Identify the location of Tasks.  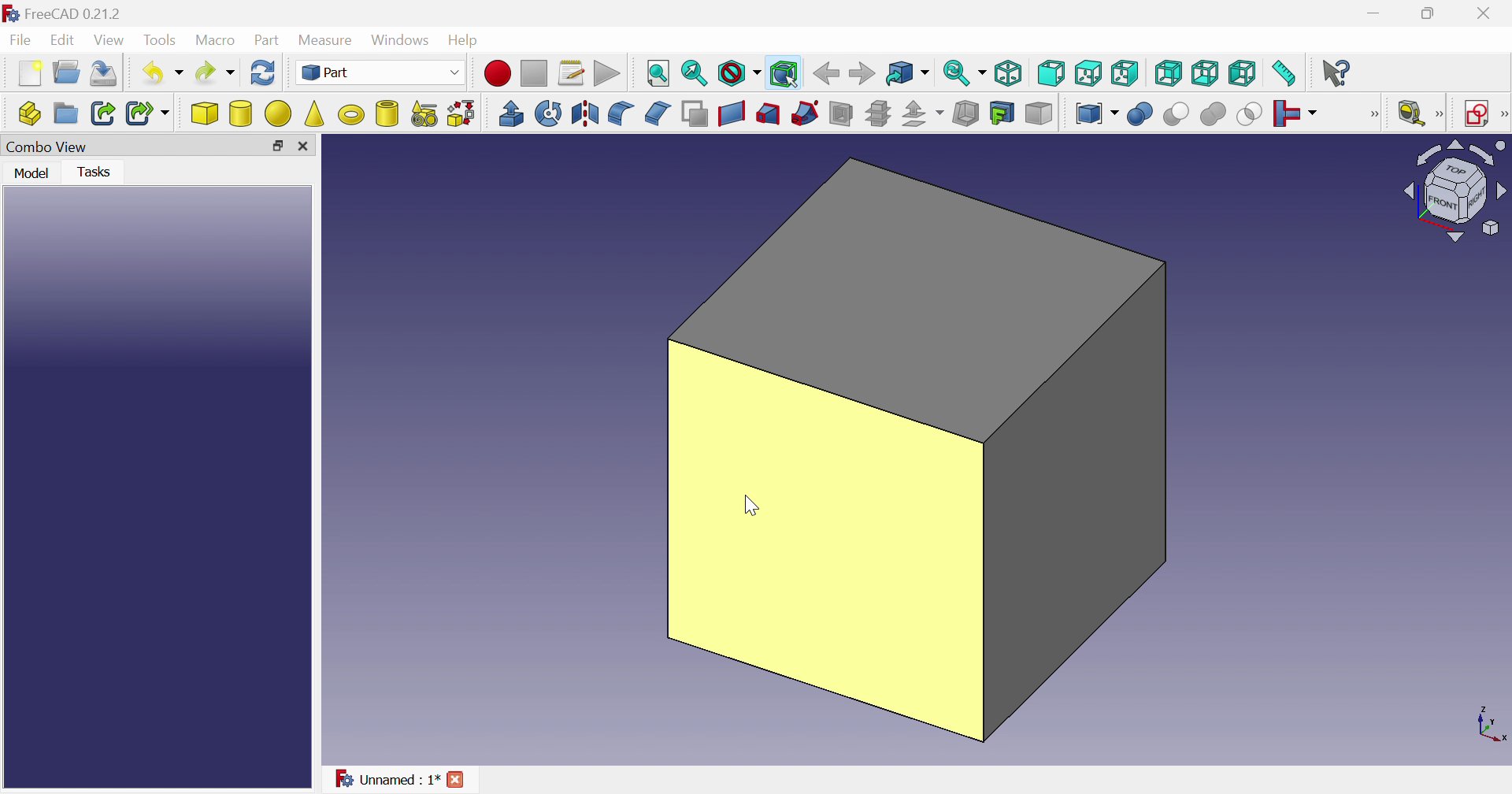
(99, 171).